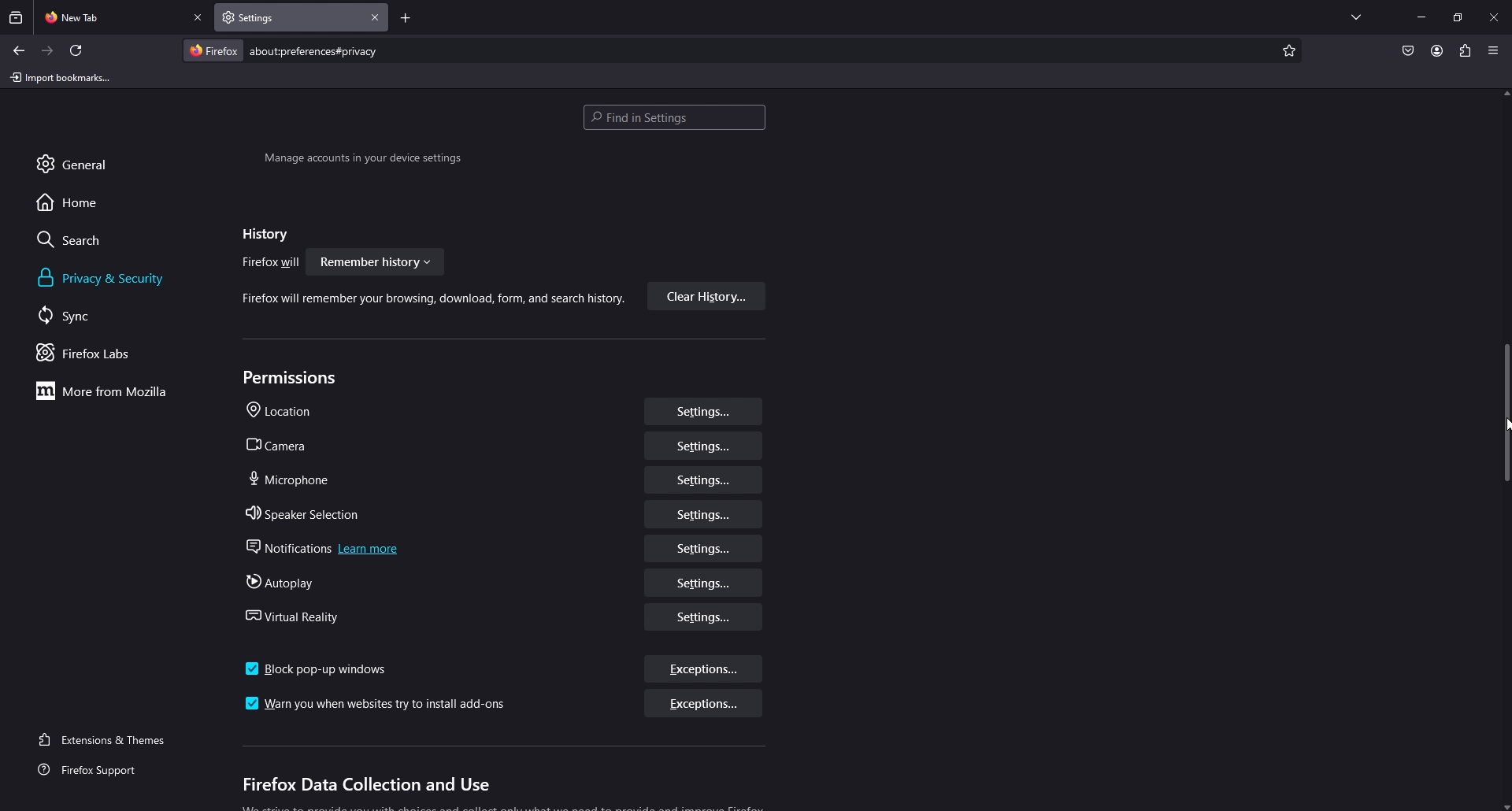 The height and width of the screenshot is (811, 1512). What do you see at coordinates (64, 76) in the screenshot?
I see `import bookmarks` at bounding box center [64, 76].